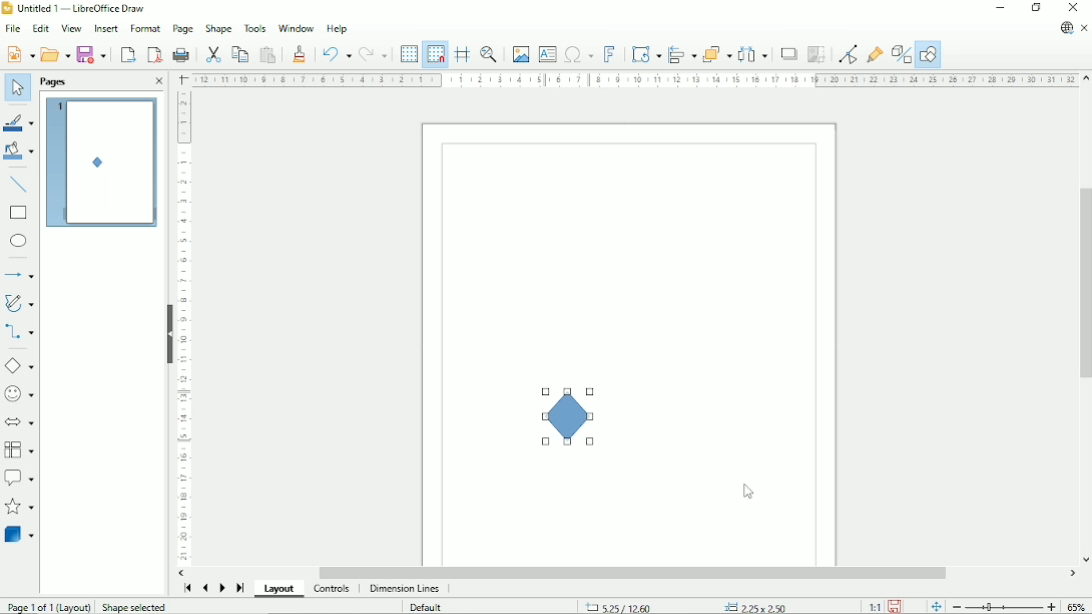 The image size is (1092, 614). What do you see at coordinates (688, 606) in the screenshot?
I see `Cursor position` at bounding box center [688, 606].